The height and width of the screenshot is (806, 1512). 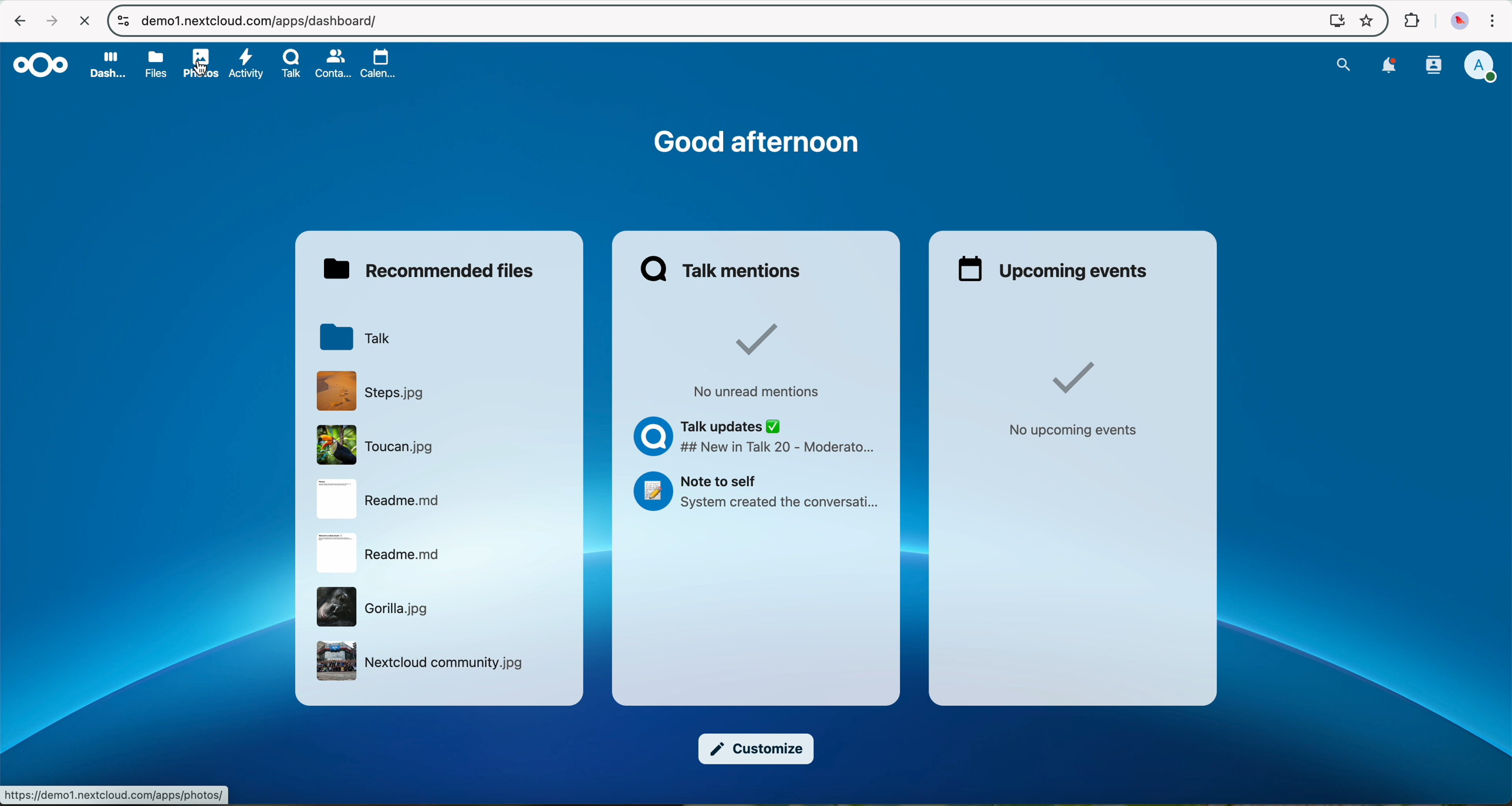 What do you see at coordinates (427, 272) in the screenshot?
I see `recommended files` at bounding box center [427, 272].